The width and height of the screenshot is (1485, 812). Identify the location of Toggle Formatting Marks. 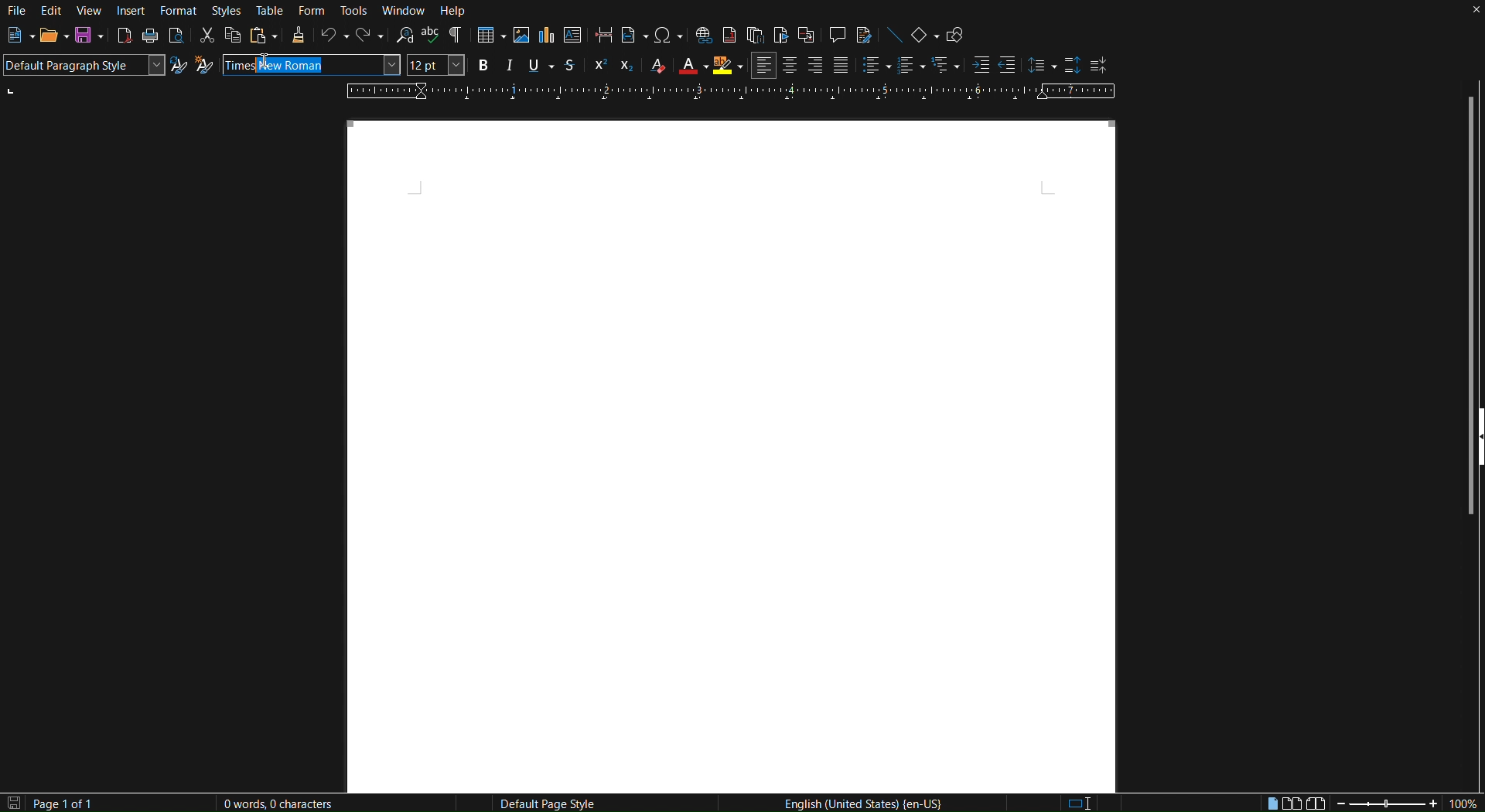
(456, 39).